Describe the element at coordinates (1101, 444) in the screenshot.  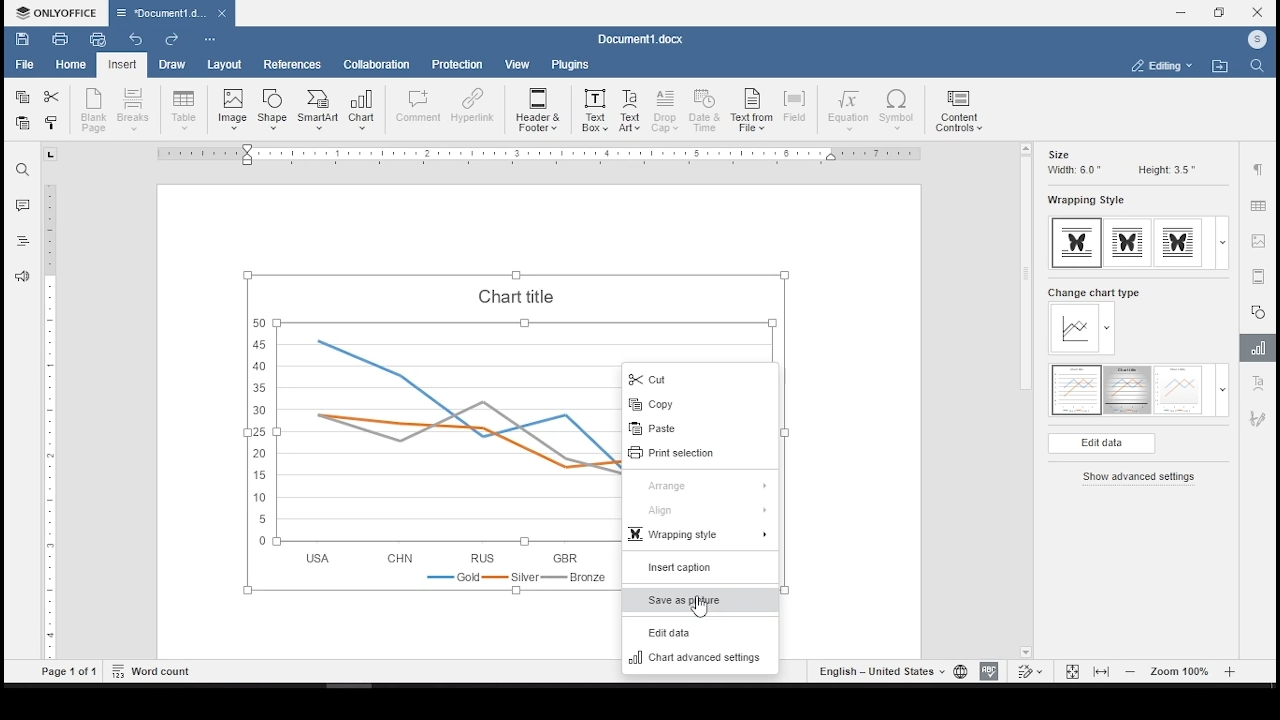
I see `edit data` at that location.